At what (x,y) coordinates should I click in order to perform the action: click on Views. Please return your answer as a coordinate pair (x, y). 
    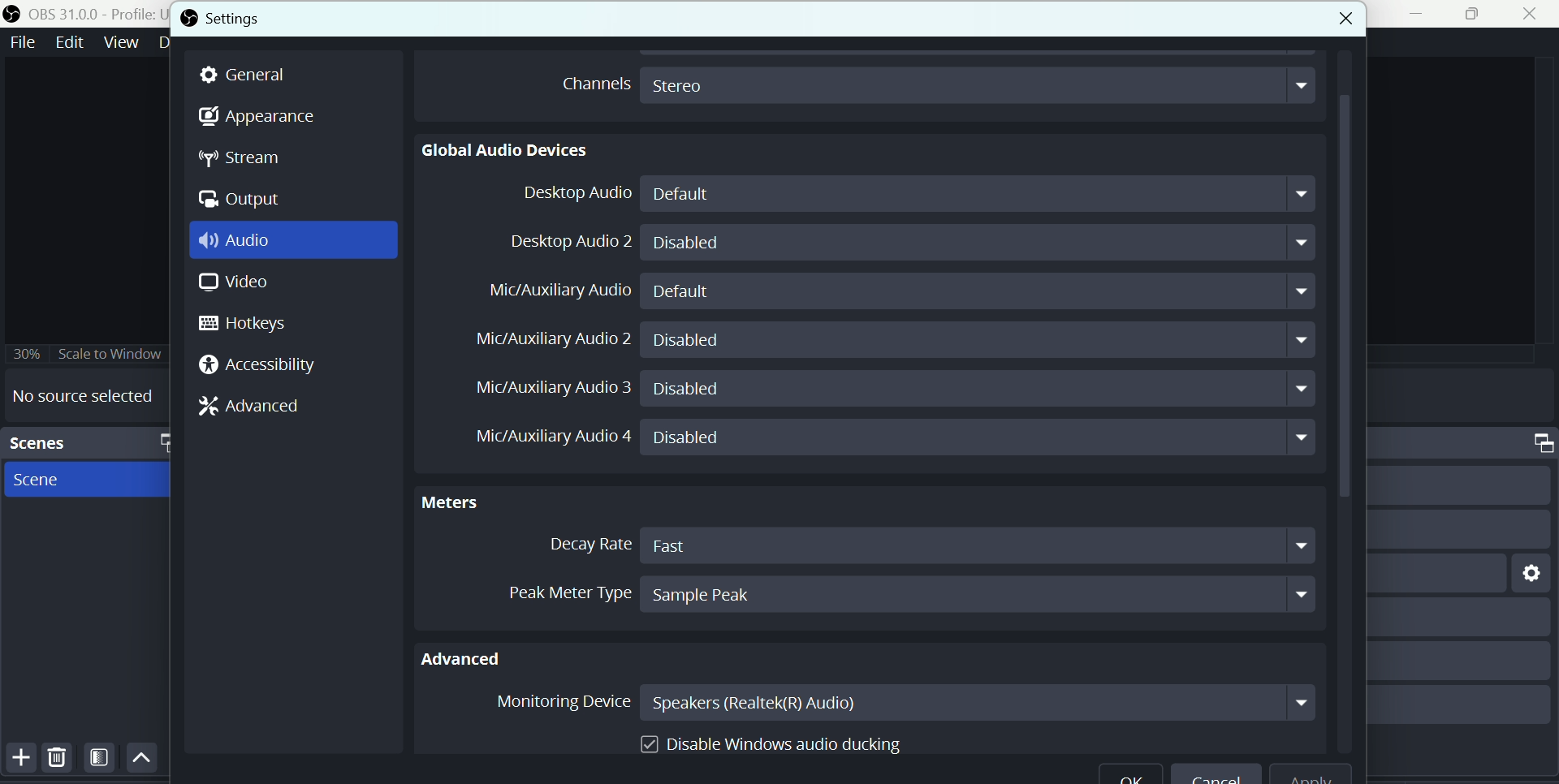
    Looking at the image, I should click on (123, 41).